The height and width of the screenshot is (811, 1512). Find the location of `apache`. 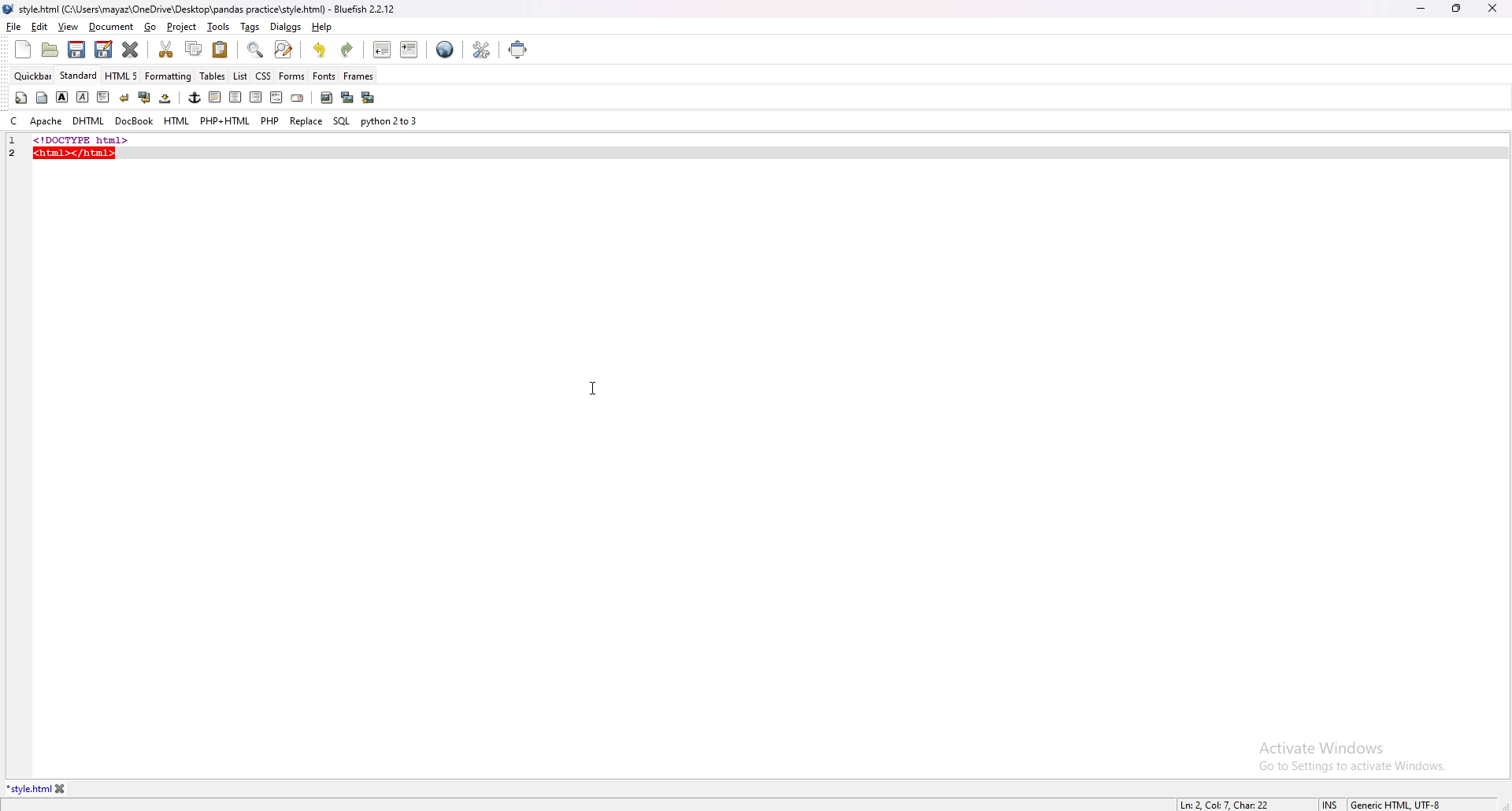

apache is located at coordinates (46, 121).